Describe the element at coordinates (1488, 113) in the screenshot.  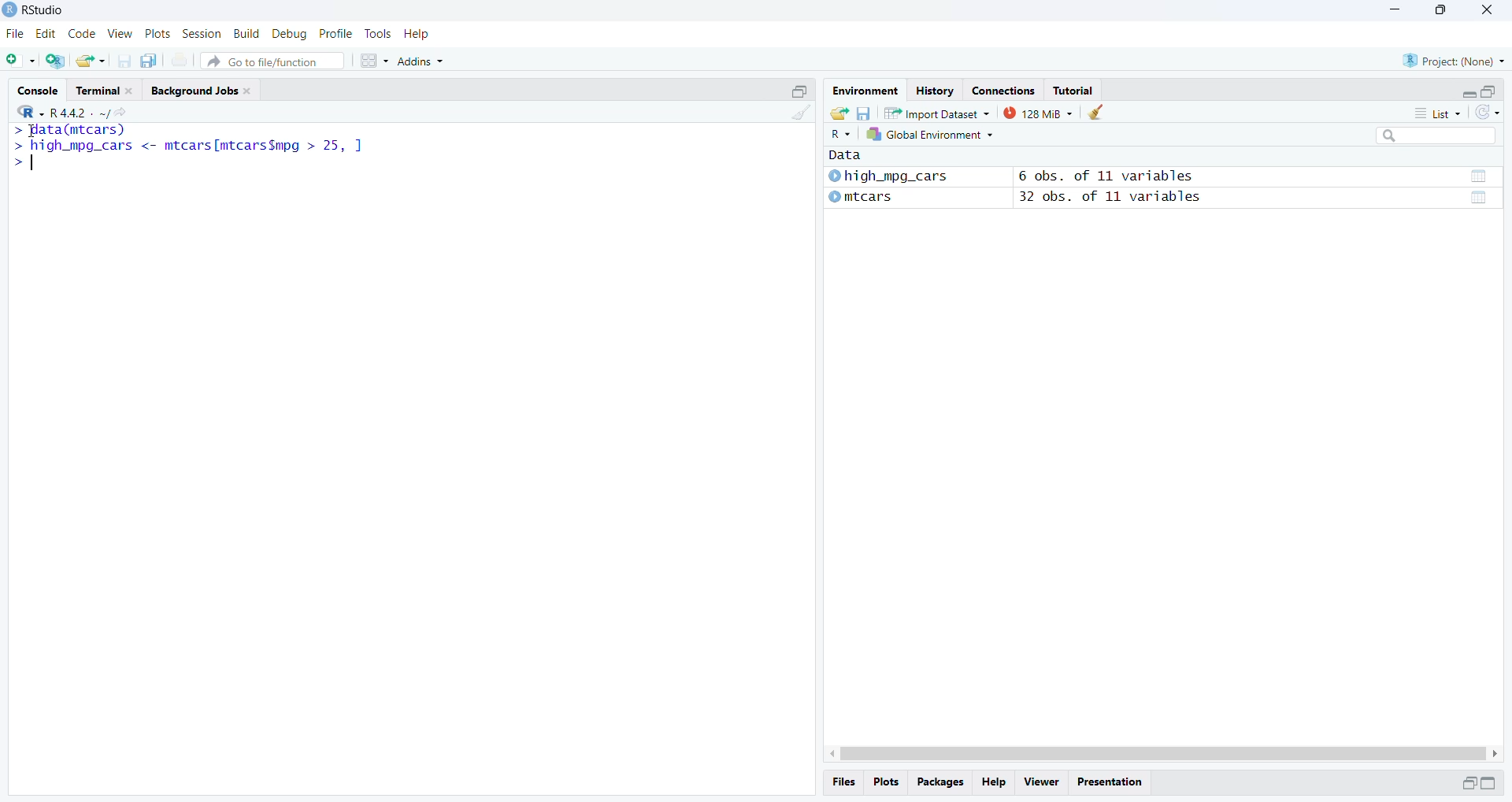
I see `refresh` at that location.